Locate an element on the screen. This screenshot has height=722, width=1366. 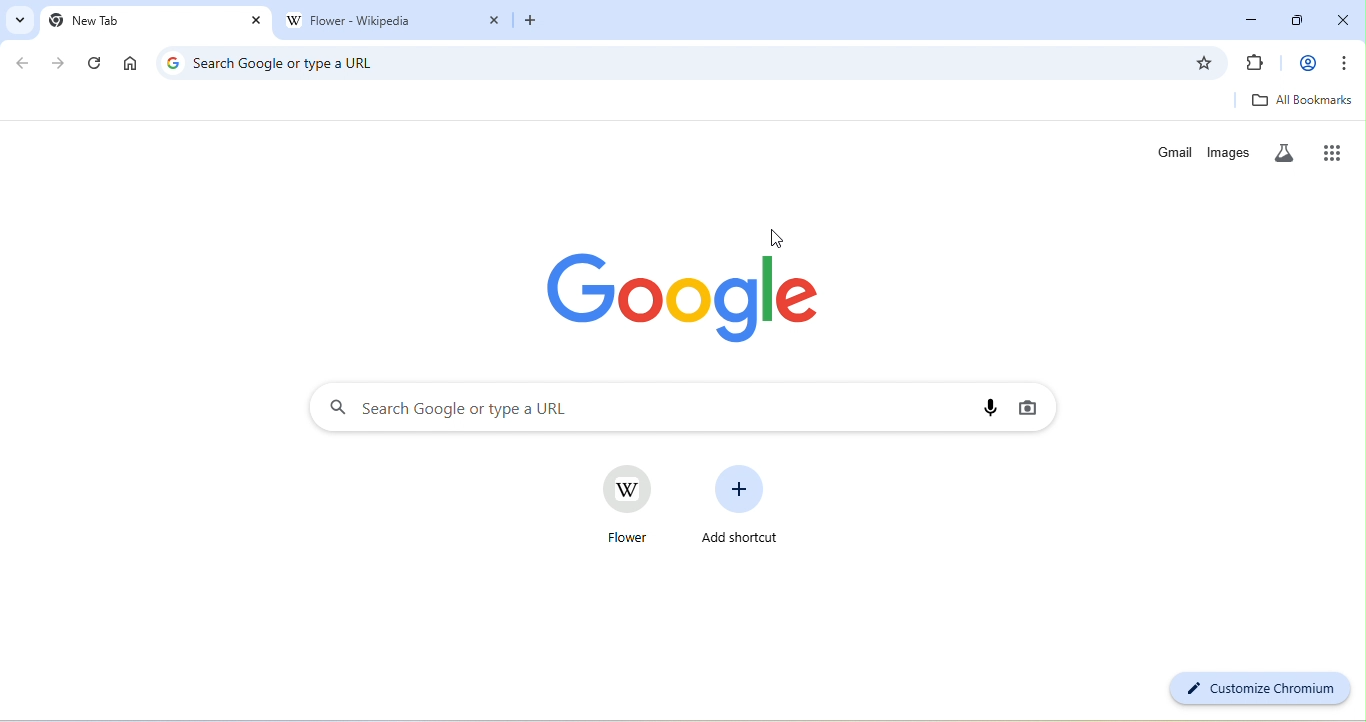
google logo is located at coordinates (172, 62).